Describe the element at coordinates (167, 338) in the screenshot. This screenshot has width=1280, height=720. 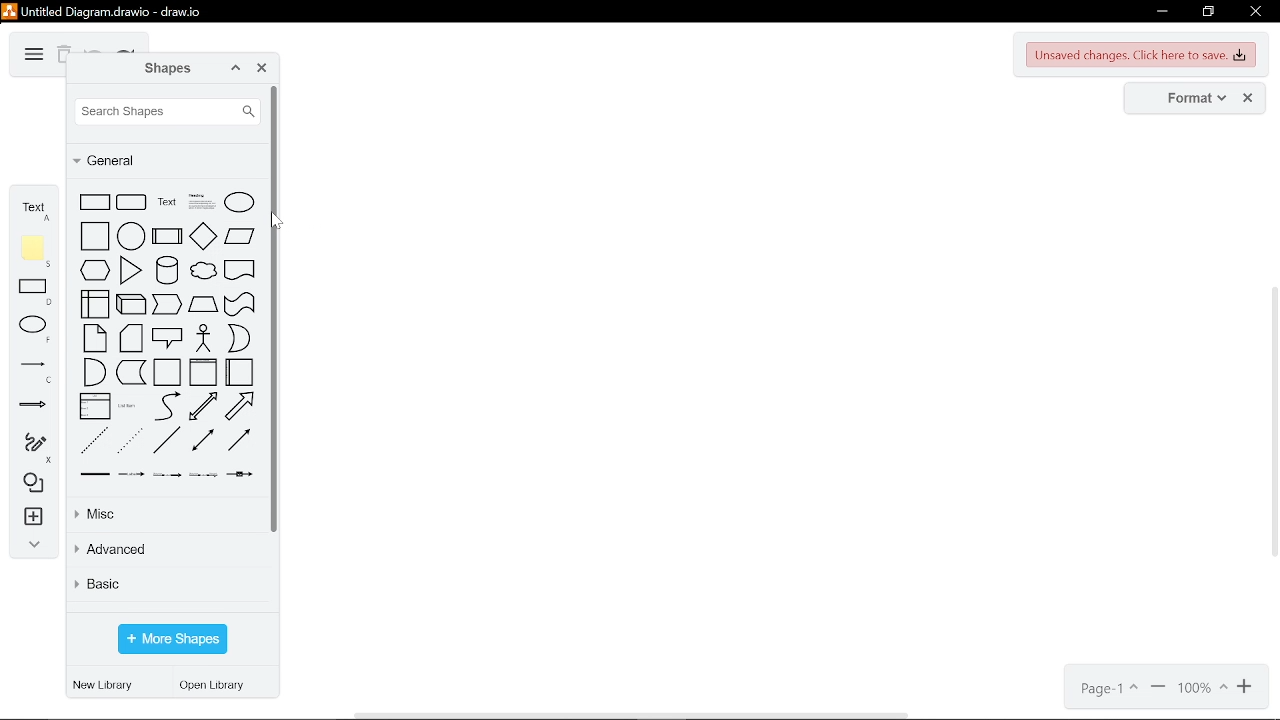
I see `callout` at that location.